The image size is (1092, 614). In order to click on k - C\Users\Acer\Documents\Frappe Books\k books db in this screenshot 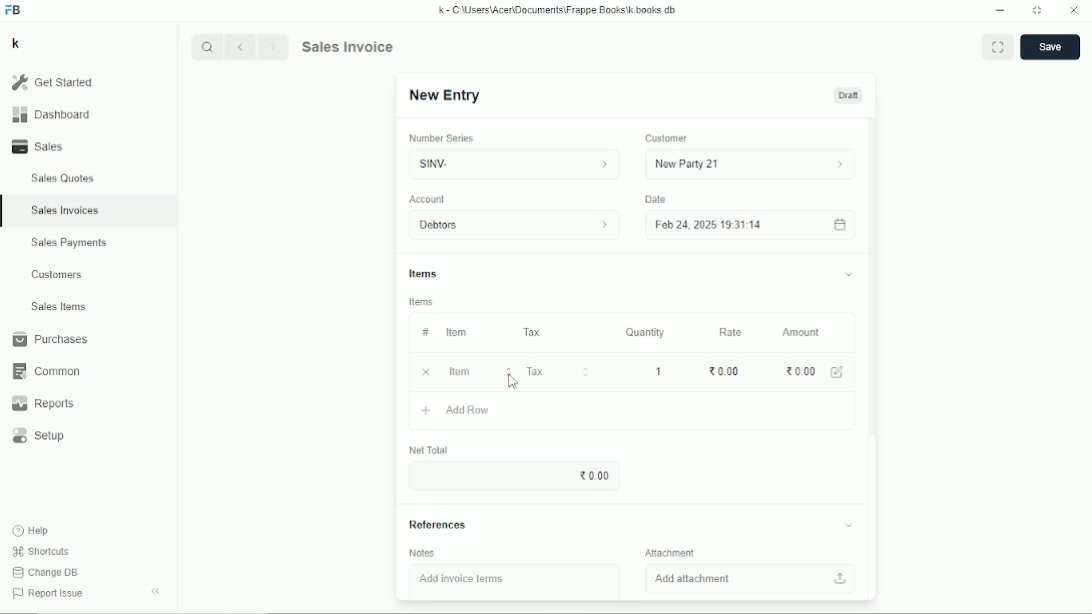, I will do `click(559, 9)`.